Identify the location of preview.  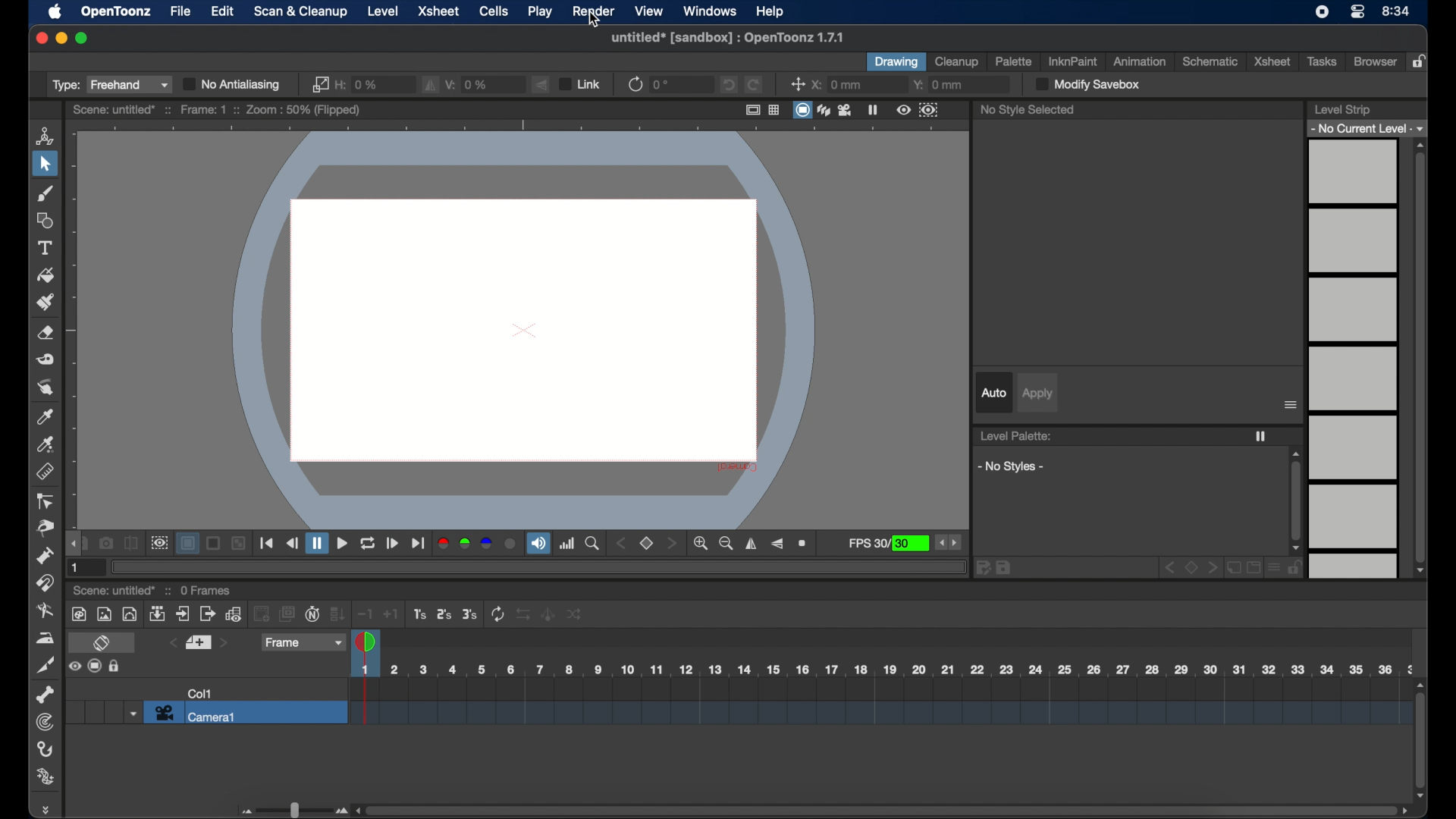
(918, 110).